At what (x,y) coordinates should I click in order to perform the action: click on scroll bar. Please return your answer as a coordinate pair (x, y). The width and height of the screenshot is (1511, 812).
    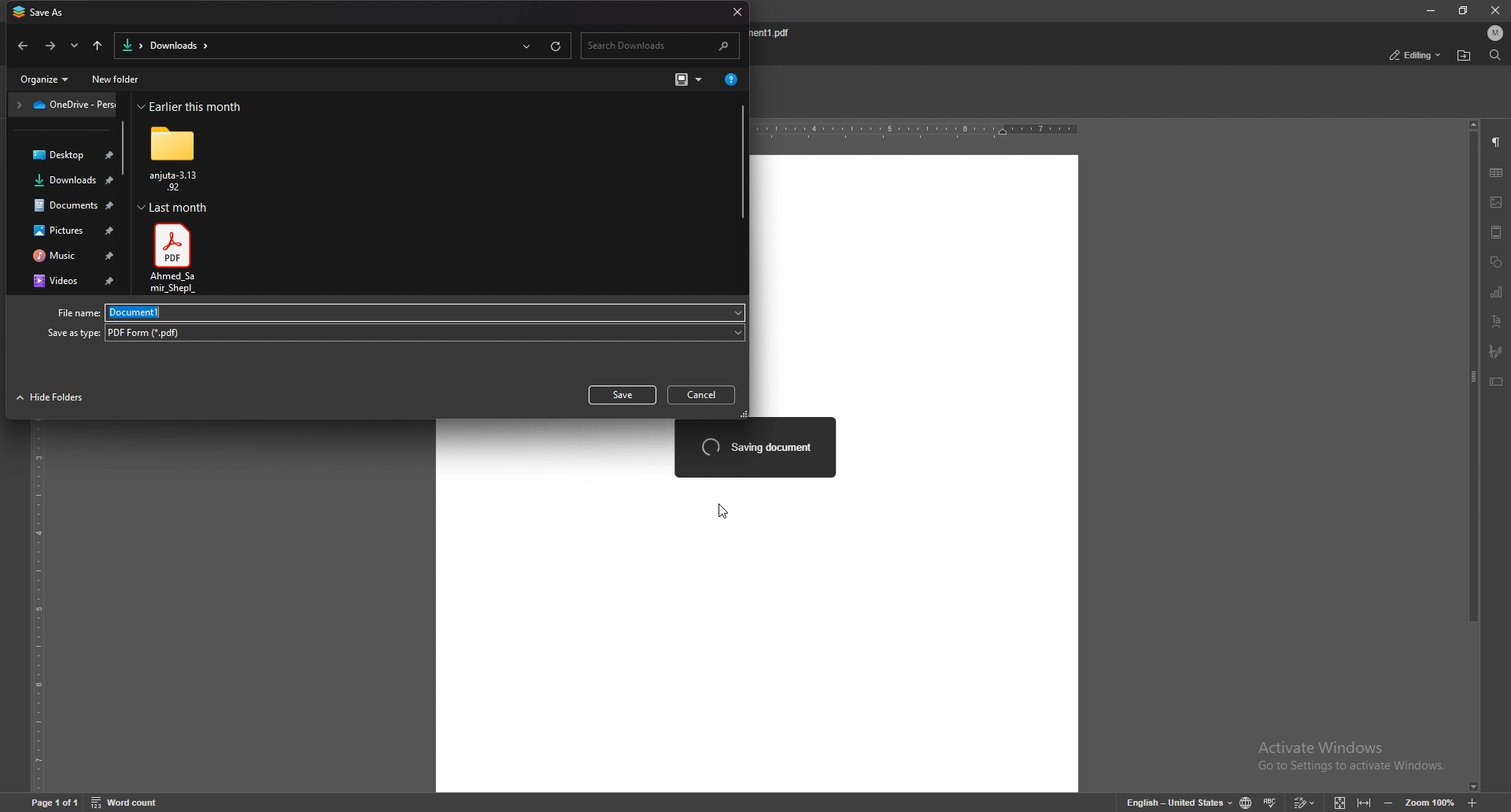
    Looking at the image, I should click on (1472, 456).